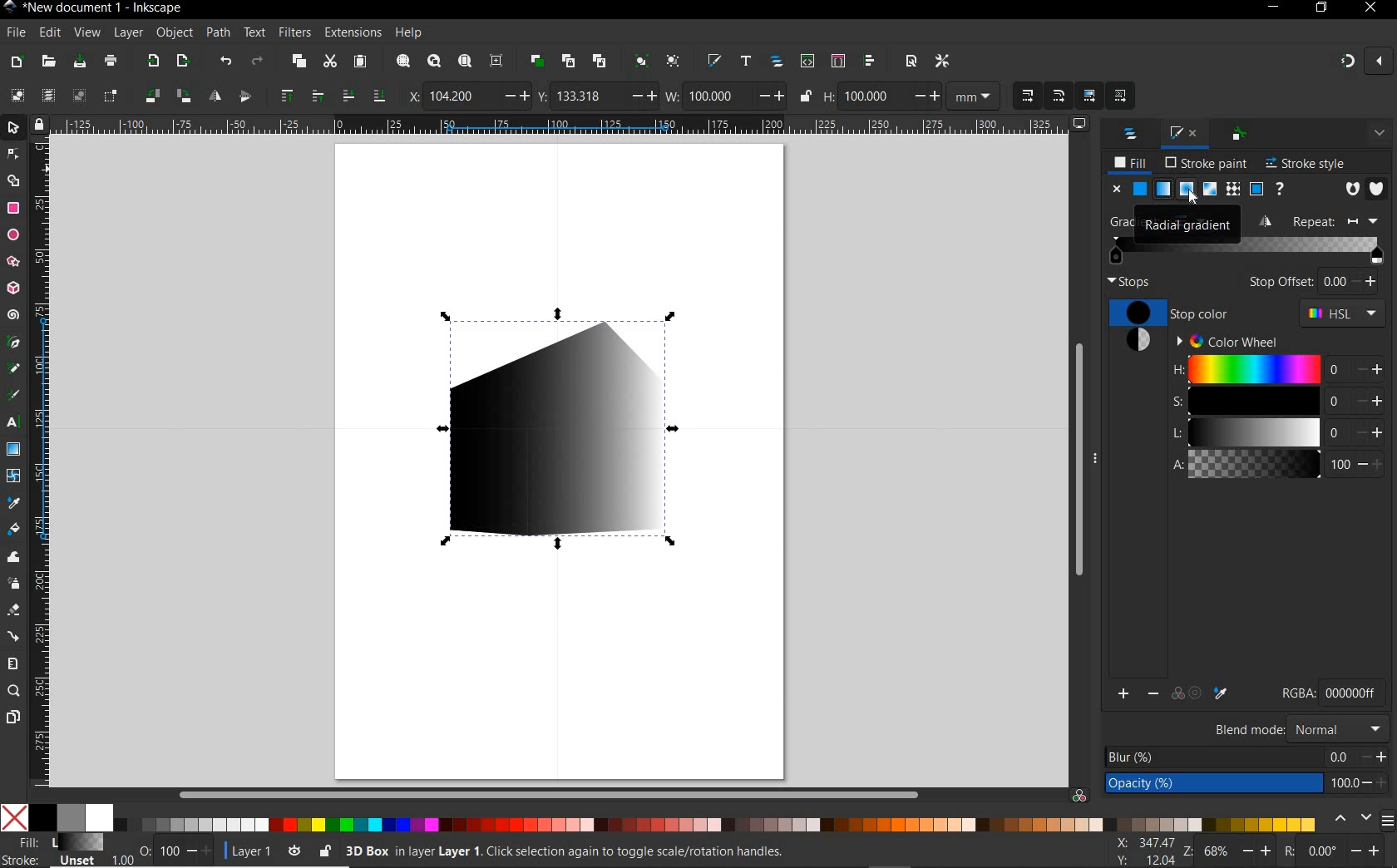 The width and height of the screenshot is (1397, 868). What do you see at coordinates (639, 61) in the screenshot?
I see `GROUP` at bounding box center [639, 61].